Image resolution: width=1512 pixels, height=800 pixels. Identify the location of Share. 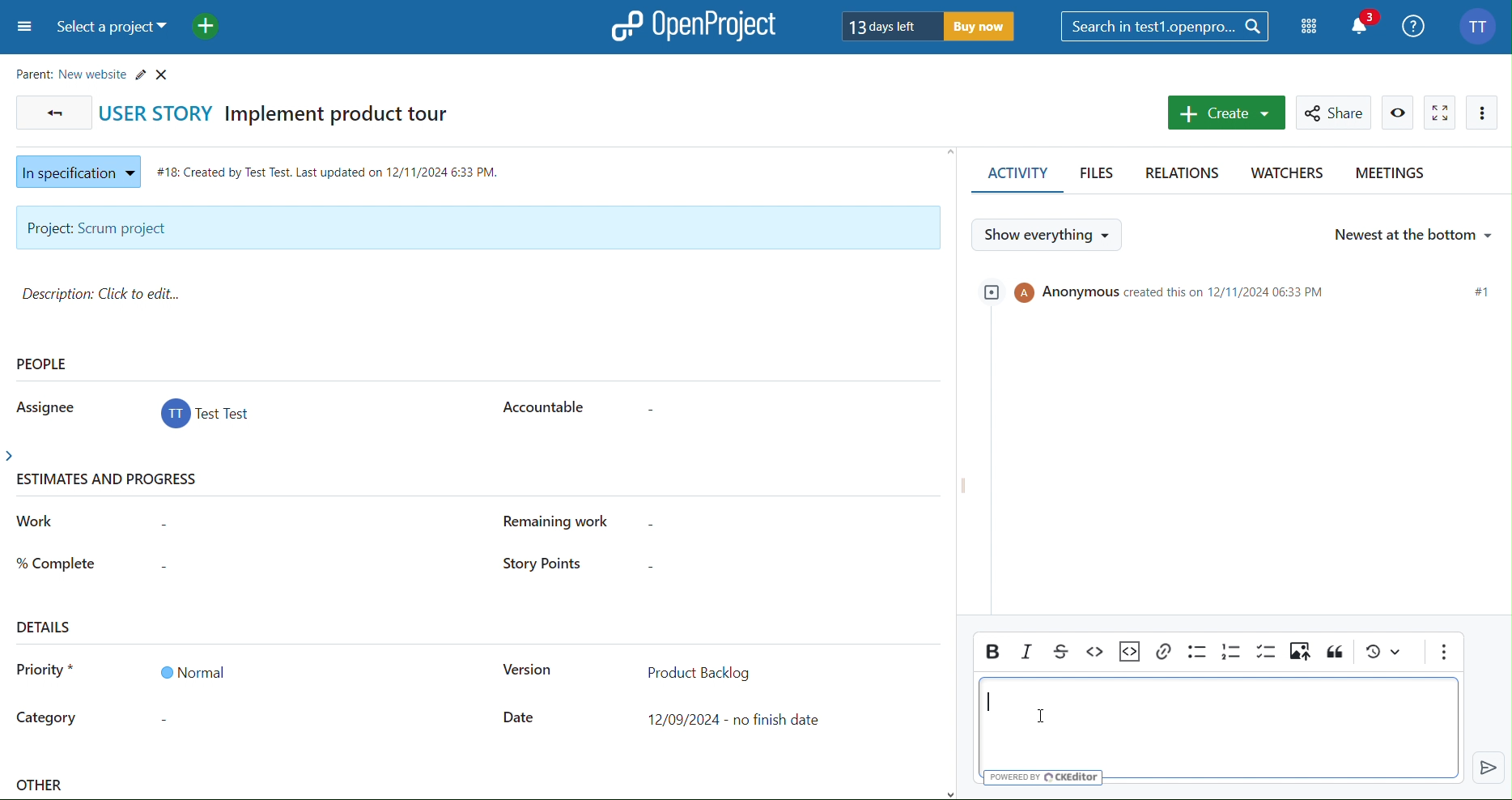
(1336, 113).